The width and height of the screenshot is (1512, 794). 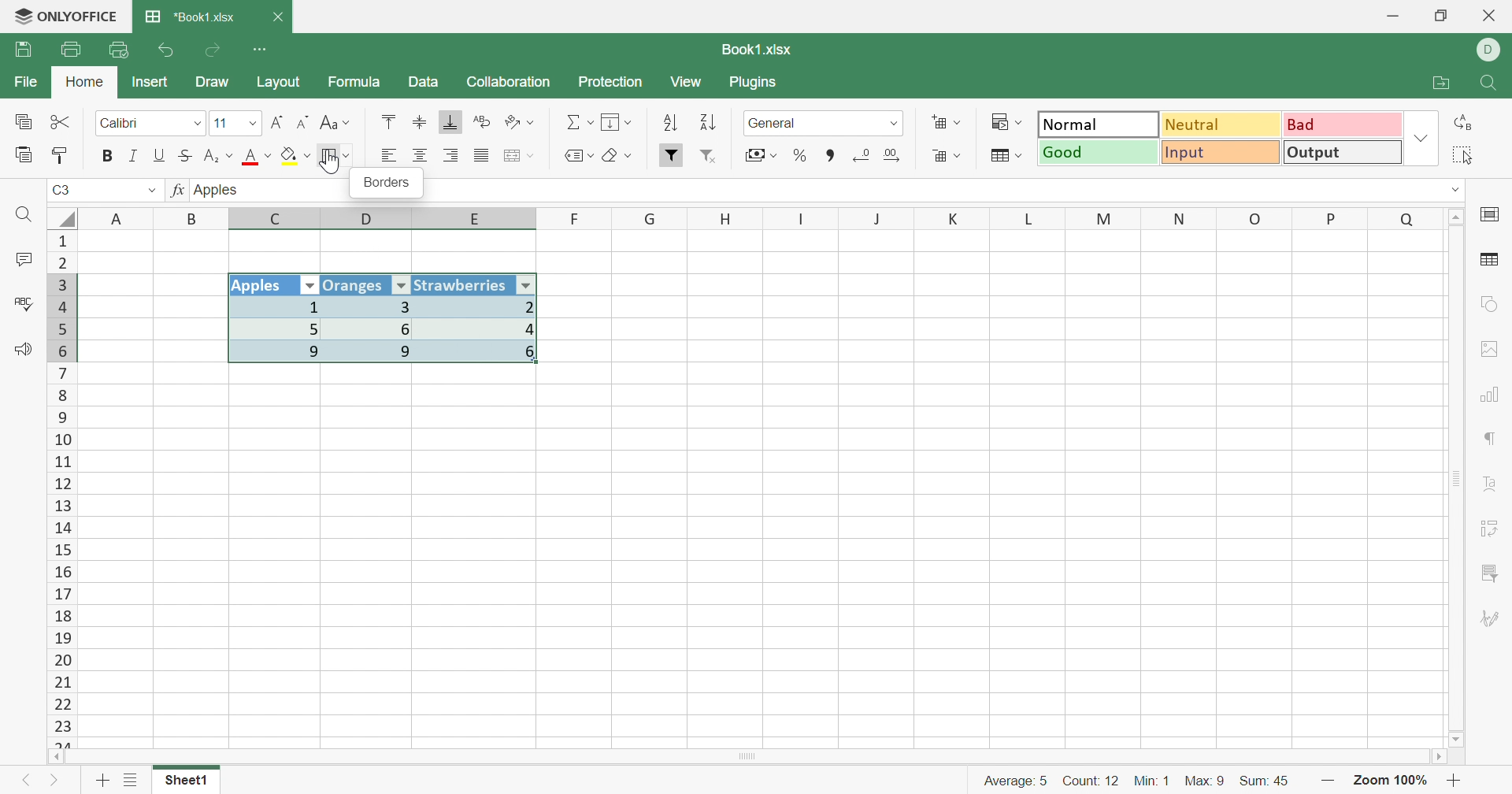 What do you see at coordinates (576, 155) in the screenshot?
I see `Named ranges` at bounding box center [576, 155].